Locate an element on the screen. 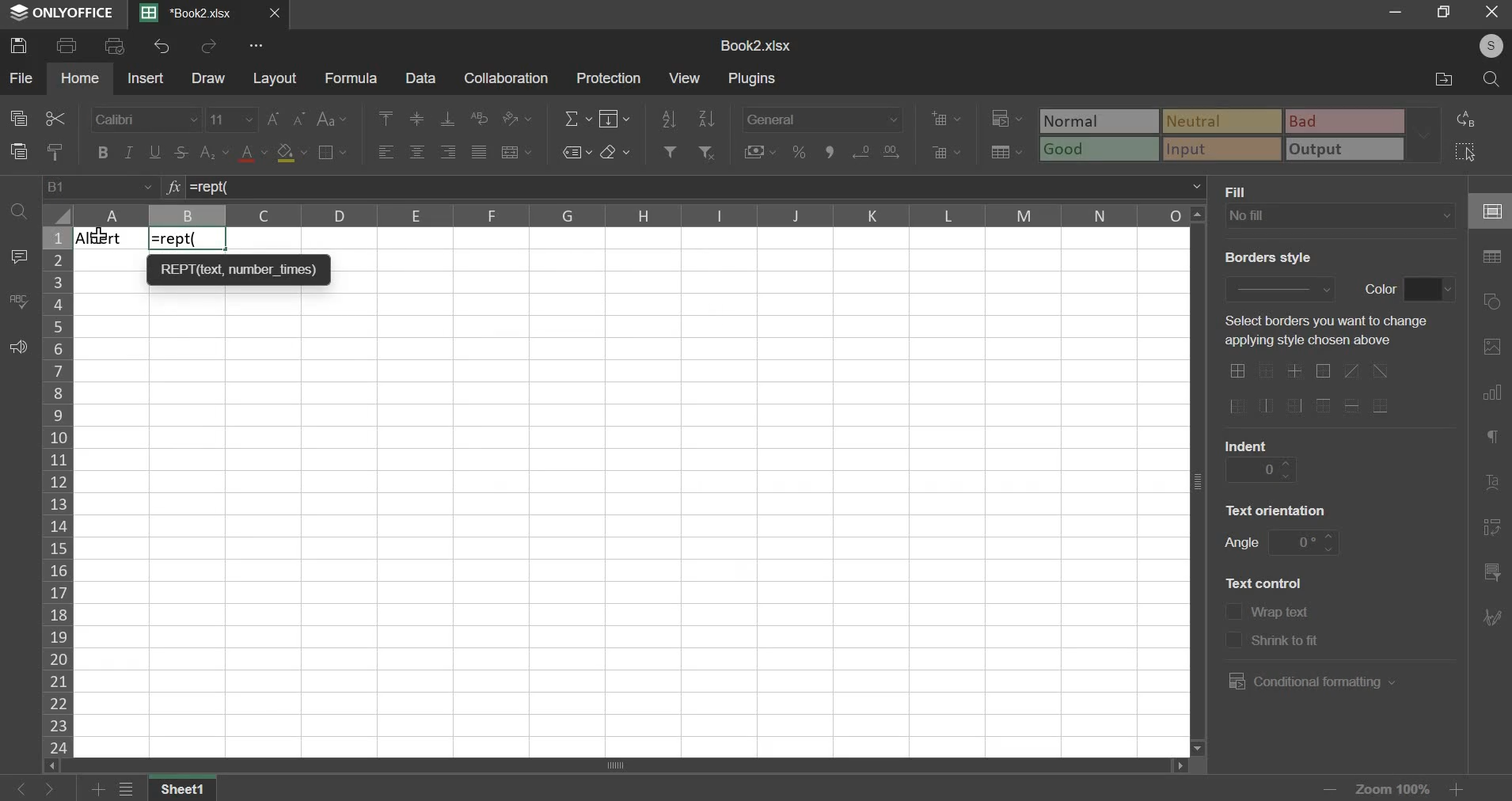 The height and width of the screenshot is (801, 1512). go forward is located at coordinates (57, 789).